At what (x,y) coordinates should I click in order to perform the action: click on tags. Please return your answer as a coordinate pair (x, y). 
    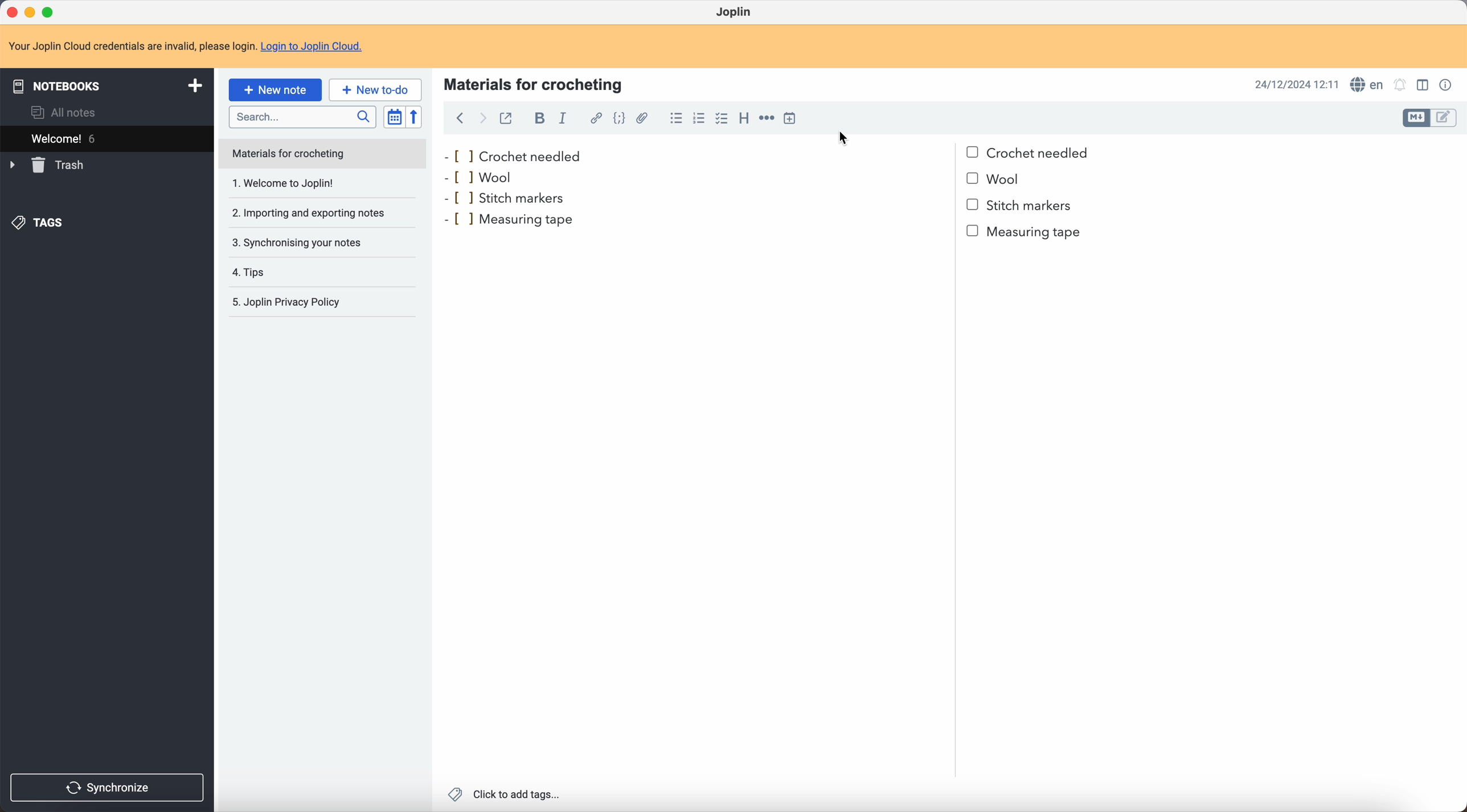
    Looking at the image, I should click on (40, 224).